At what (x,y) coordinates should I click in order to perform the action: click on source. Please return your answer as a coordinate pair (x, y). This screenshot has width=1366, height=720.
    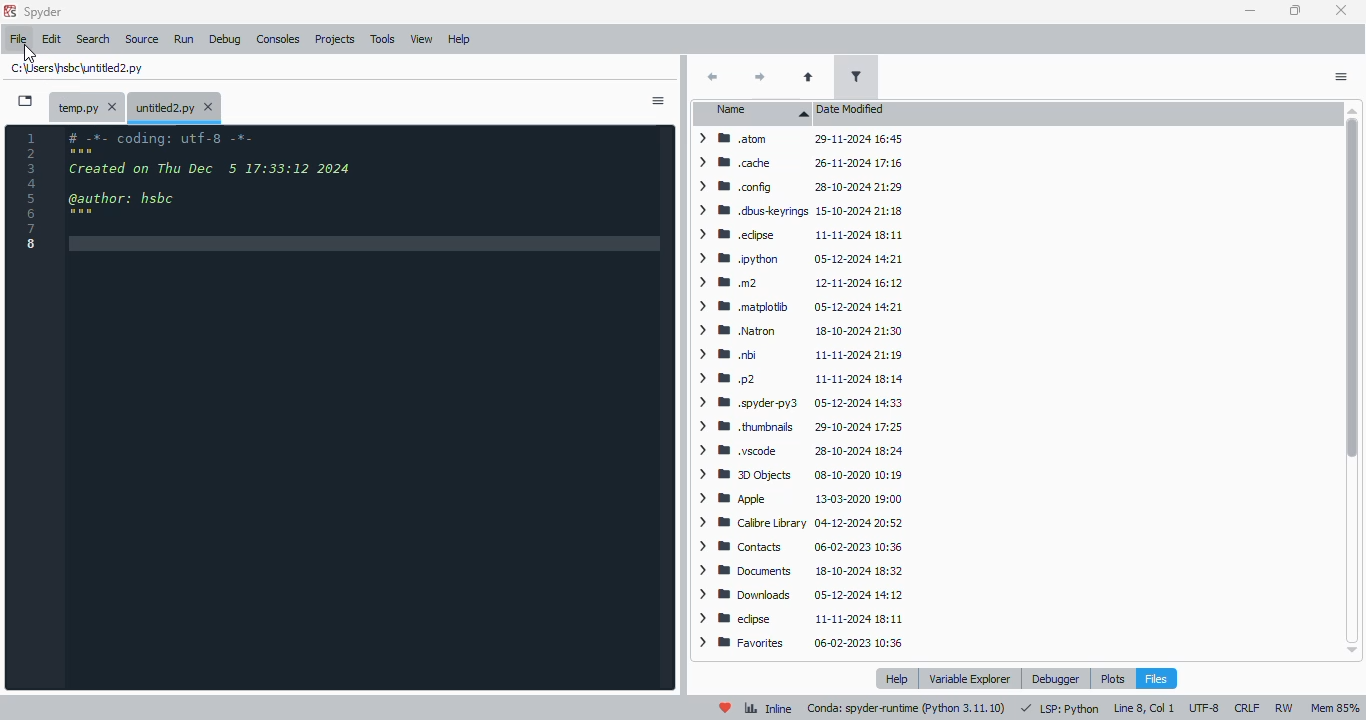
    Looking at the image, I should click on (143, 39).